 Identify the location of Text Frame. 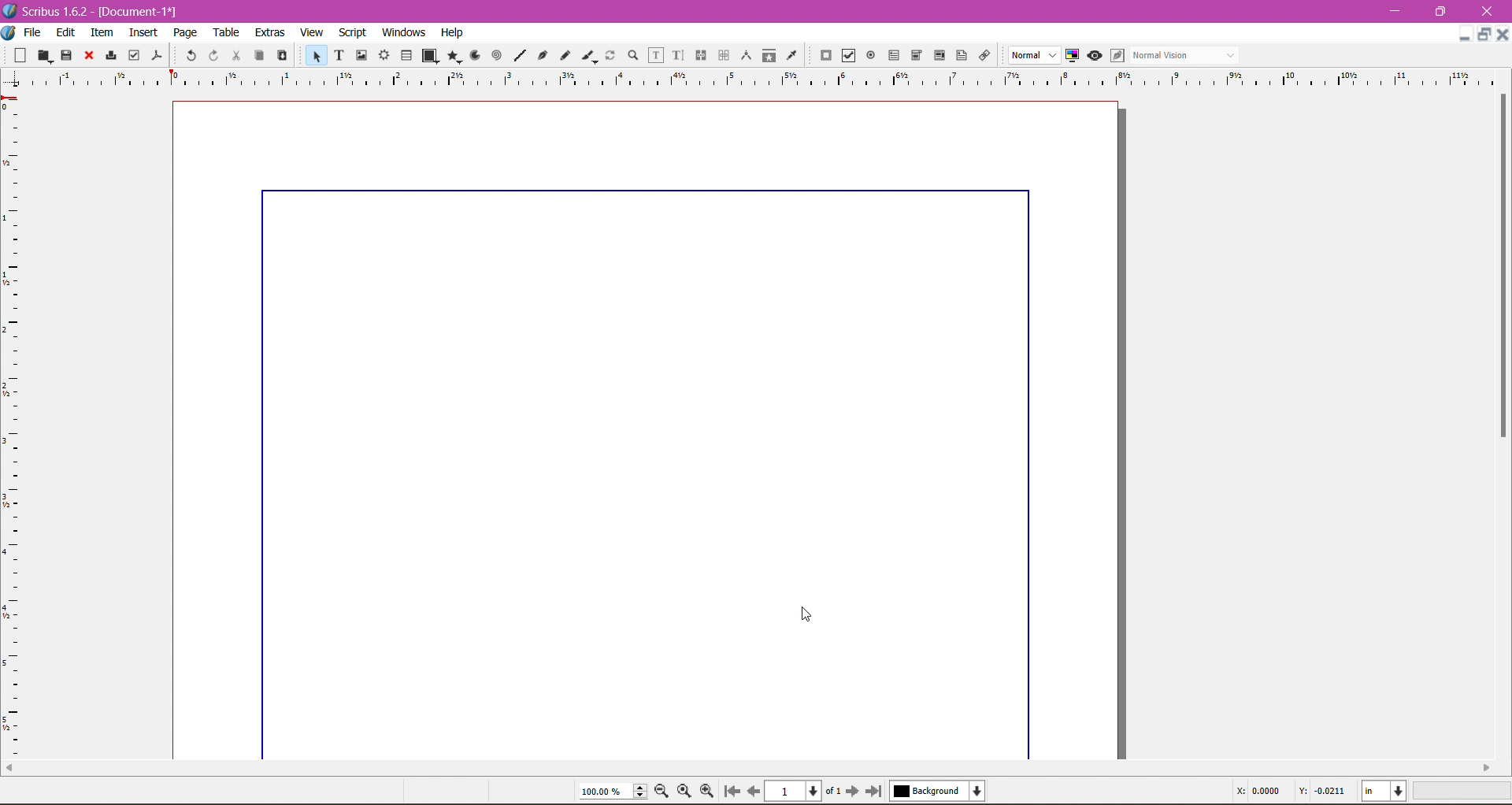
(338, 55).